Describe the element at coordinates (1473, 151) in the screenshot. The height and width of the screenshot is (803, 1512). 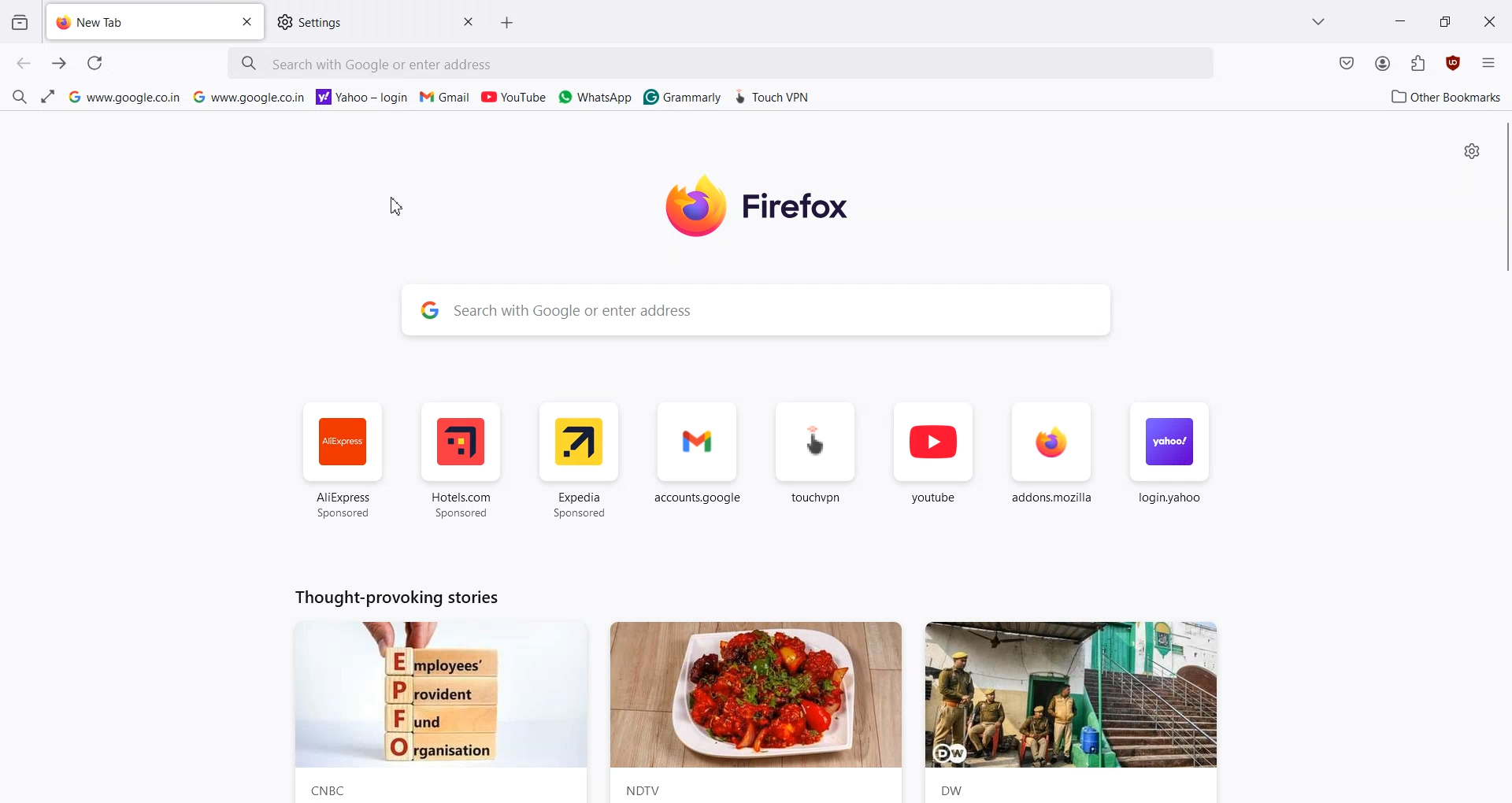
I see `Personalize new Tab` at that location.